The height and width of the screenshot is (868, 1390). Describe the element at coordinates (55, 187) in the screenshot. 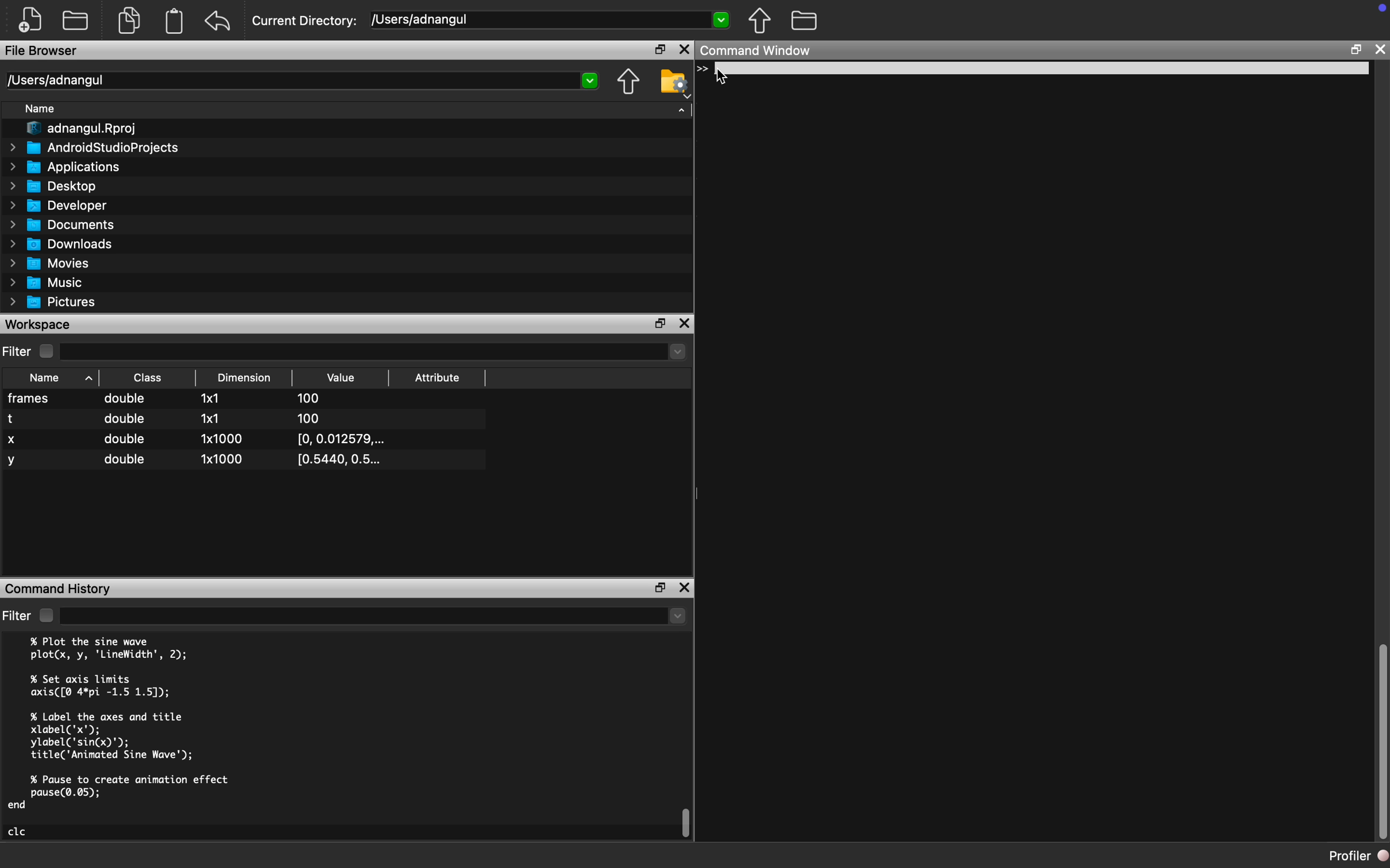

I see `Desktop` at that location.